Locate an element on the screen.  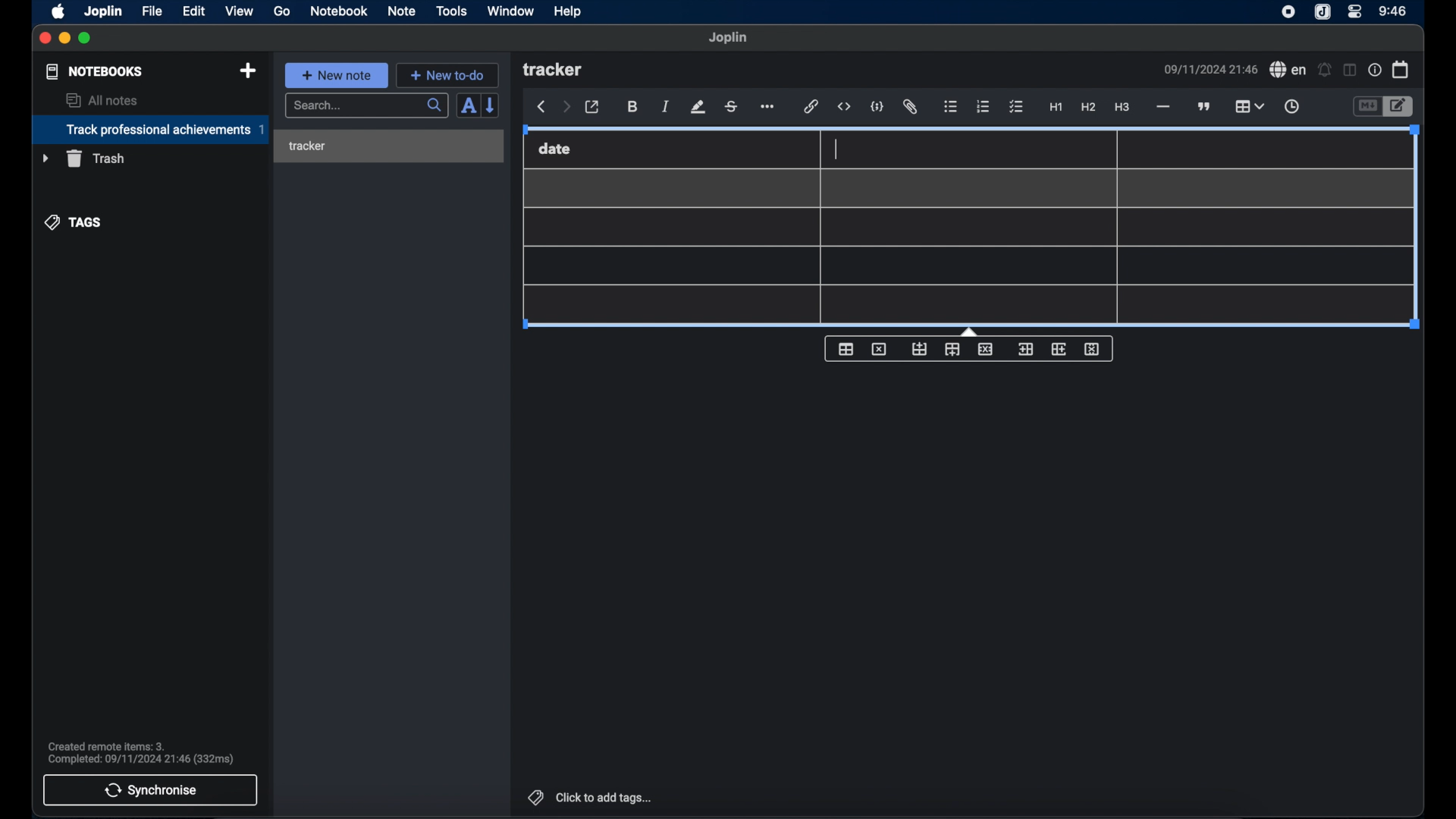
insert row after is located at coordinates (952, 350).